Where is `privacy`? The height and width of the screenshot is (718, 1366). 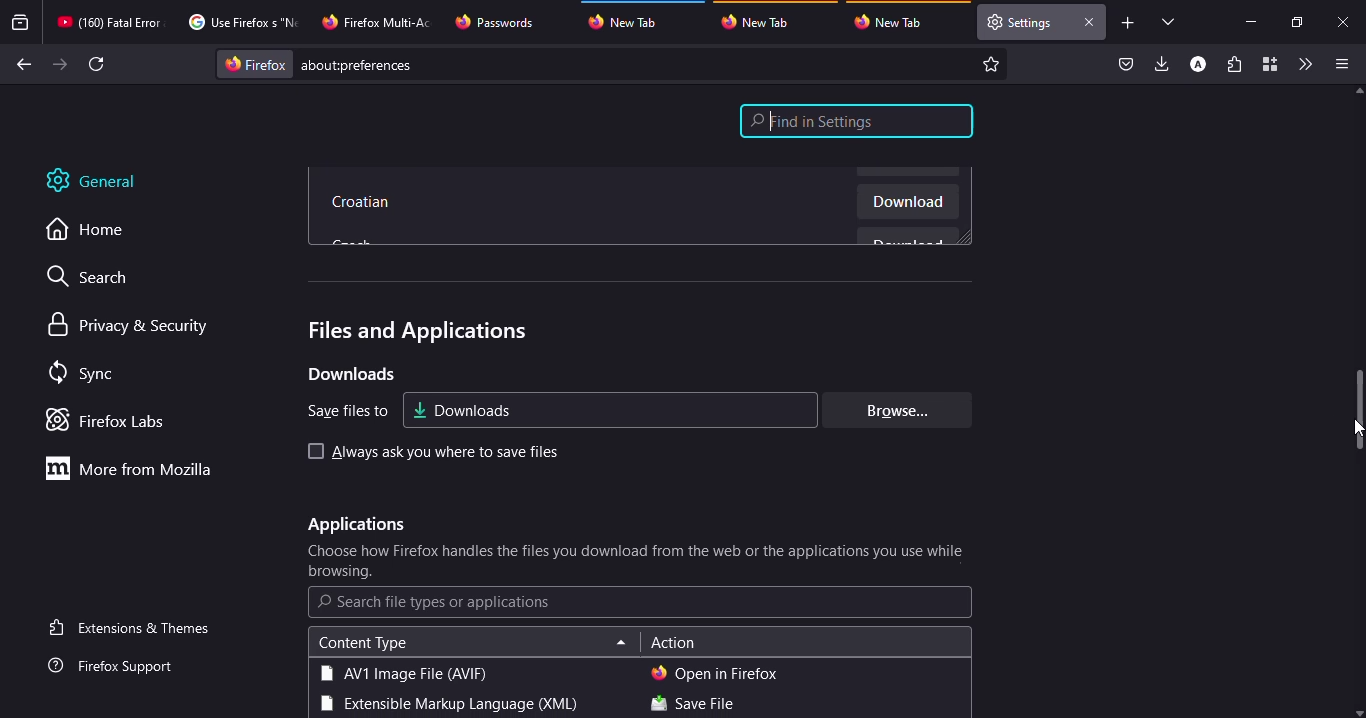 privacy is located at coordinates (131, 326).